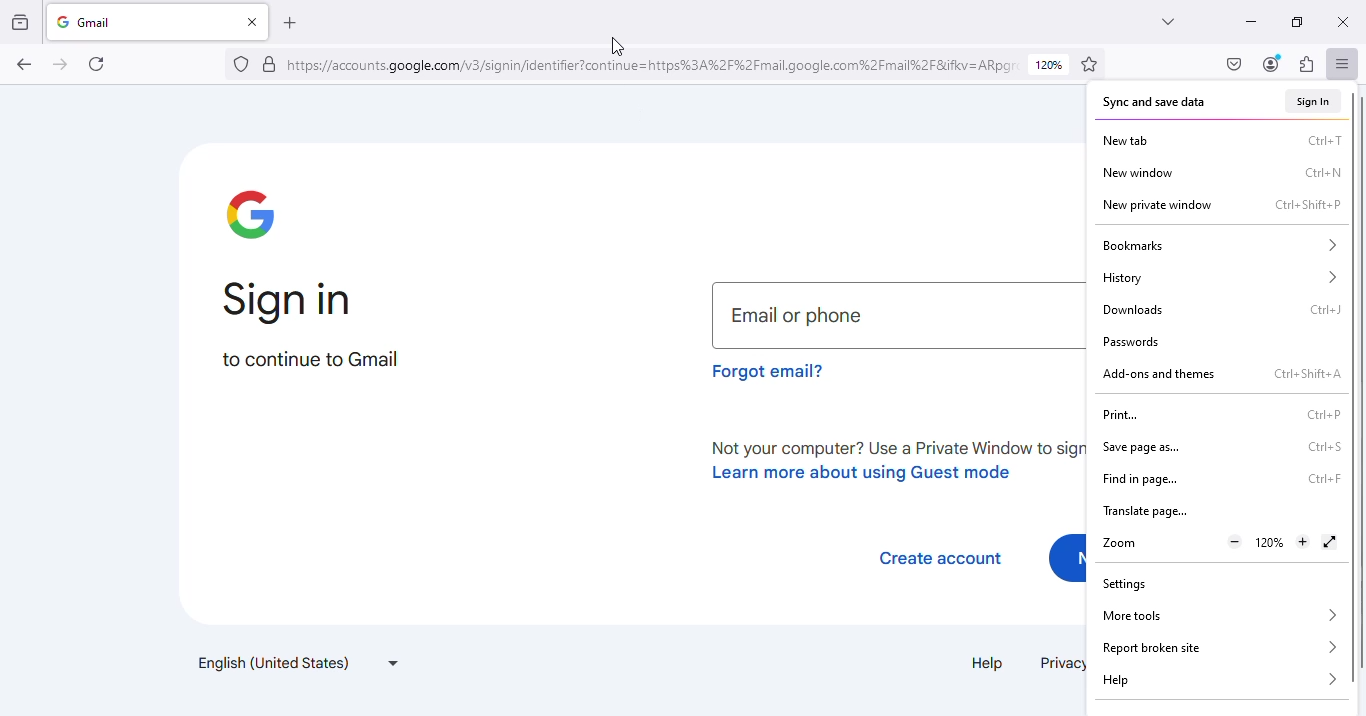  What do you see at coordinates (1329, 542) in the screenshot?
I see `display the window in full screen` at bounding box center [1329, 542].